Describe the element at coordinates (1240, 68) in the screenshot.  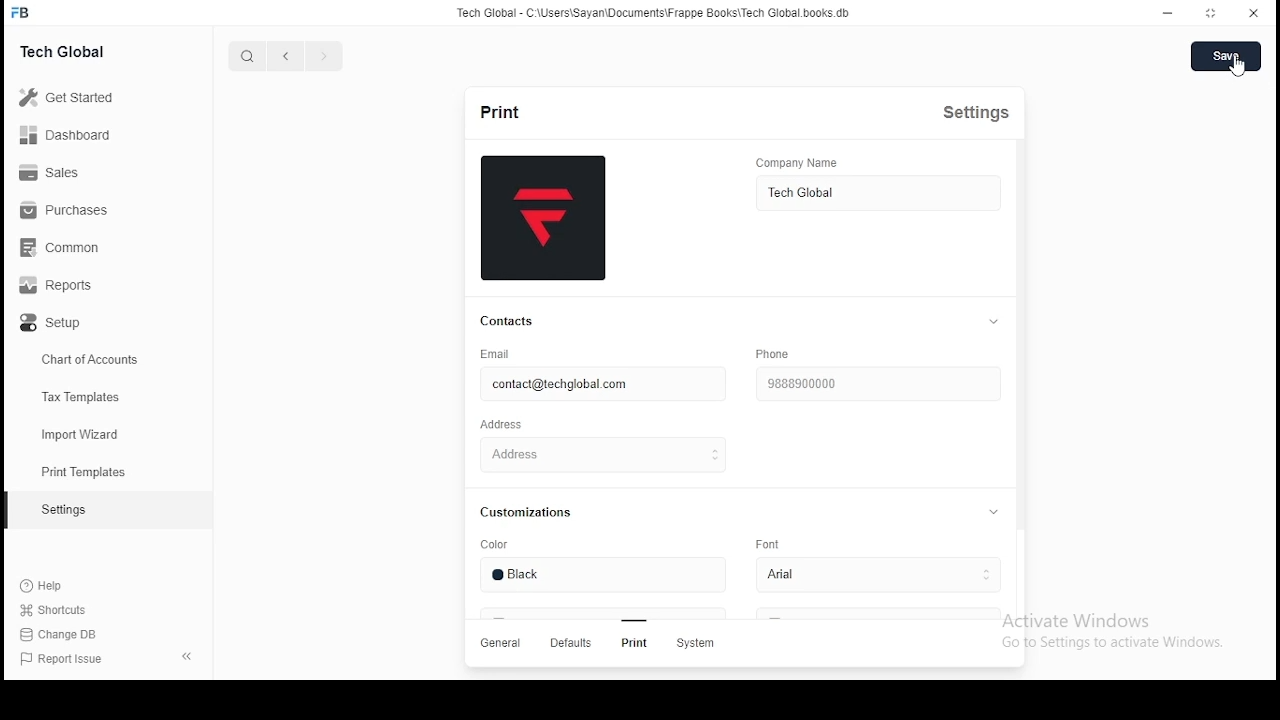
I see `cursor` at that location.